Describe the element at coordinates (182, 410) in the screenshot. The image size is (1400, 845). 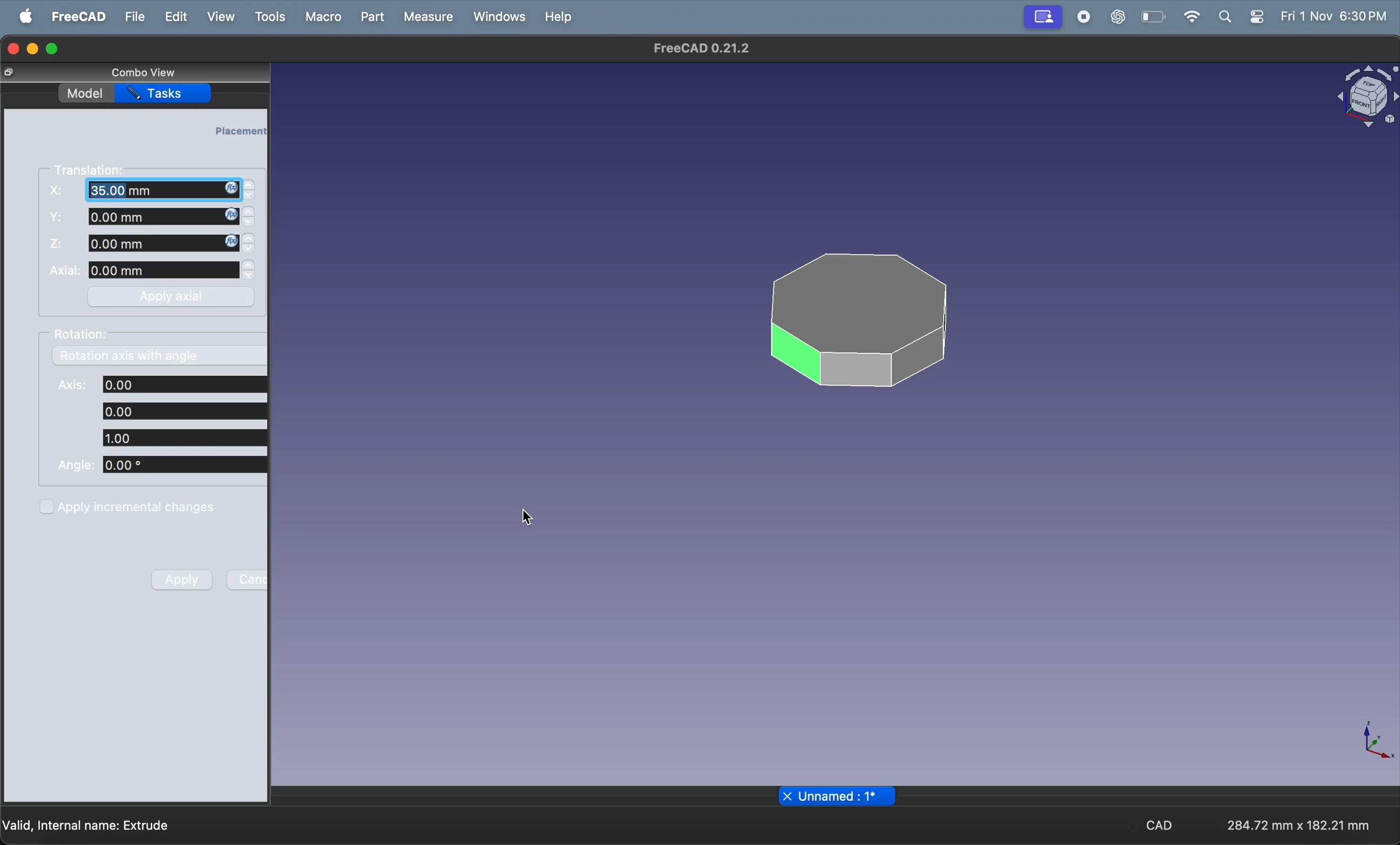
I see `0.00` at that location.